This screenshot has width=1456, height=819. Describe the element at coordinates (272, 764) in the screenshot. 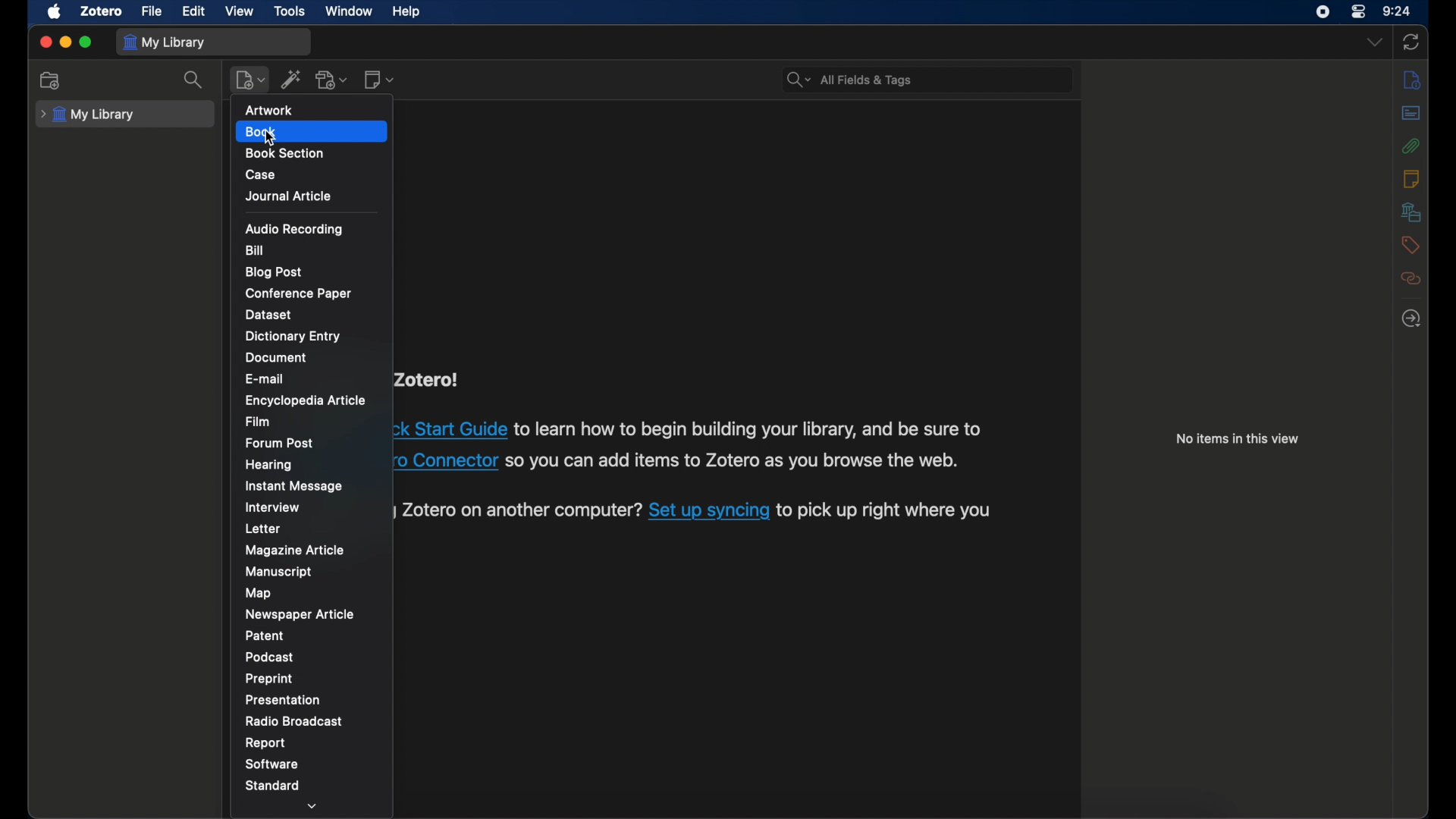

I see `software` at that location.